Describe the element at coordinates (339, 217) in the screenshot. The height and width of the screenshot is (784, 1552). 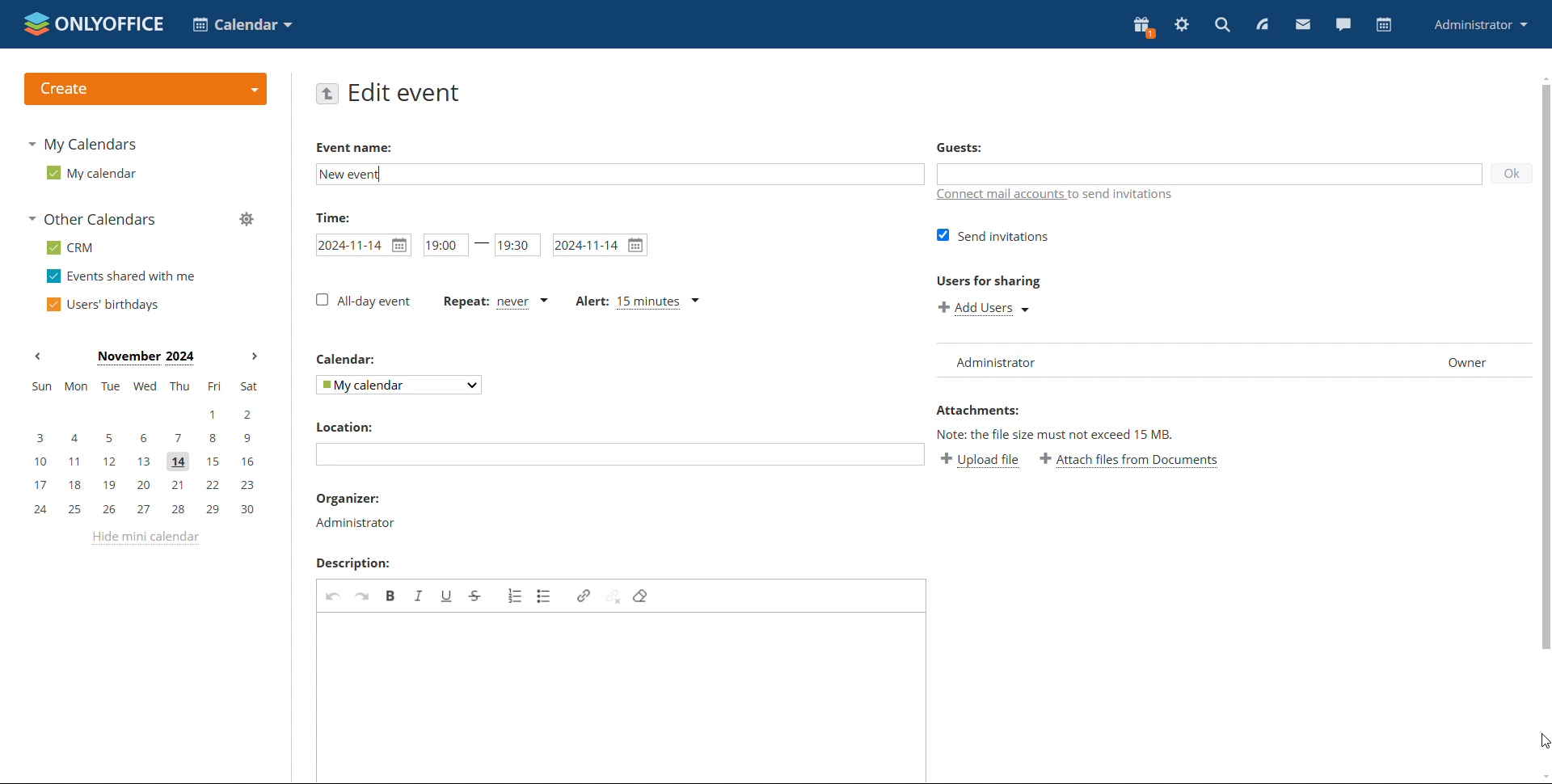
I see `time` at that location.